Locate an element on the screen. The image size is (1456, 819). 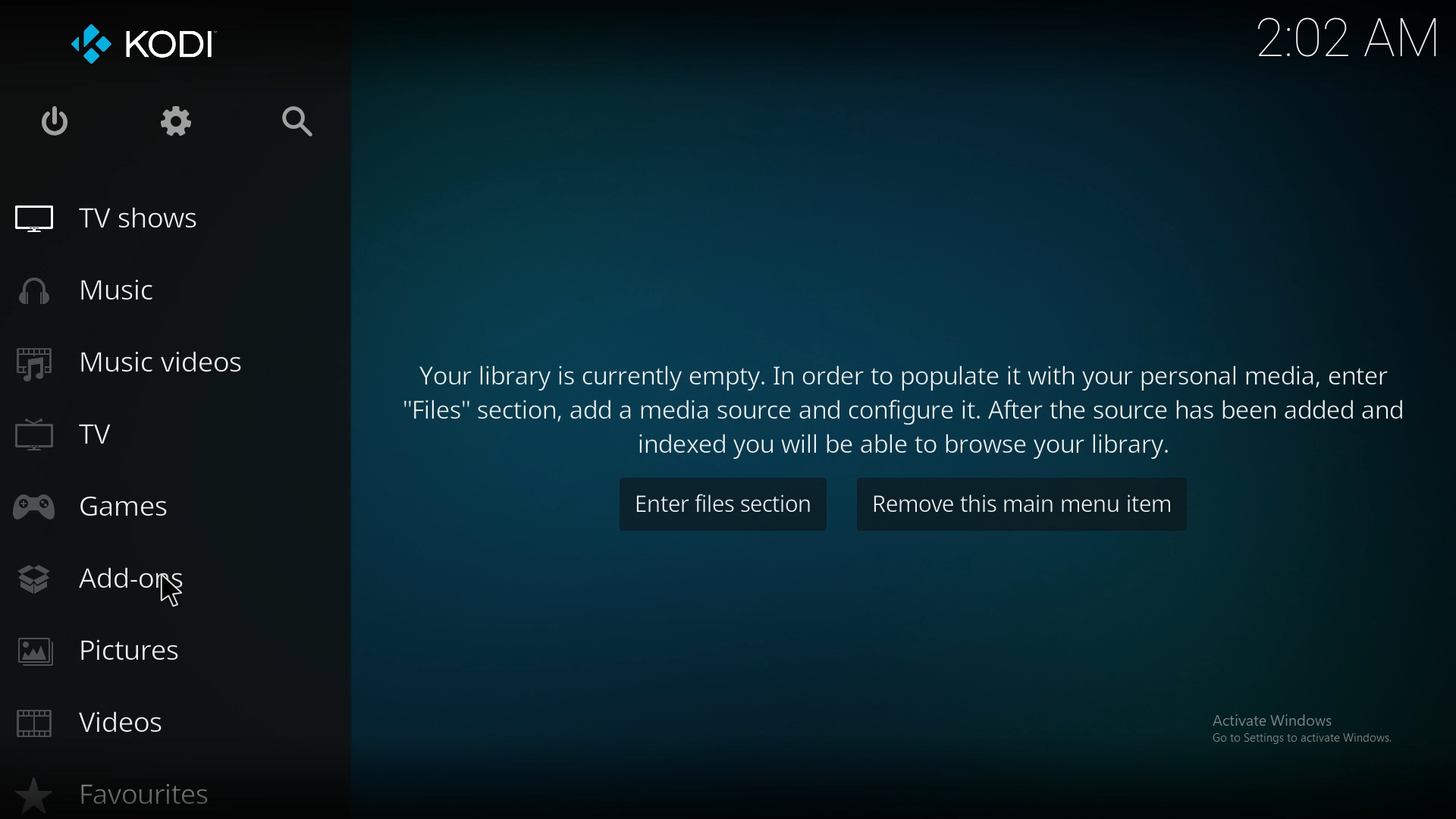
cursor is located at coordinates (175, 595).